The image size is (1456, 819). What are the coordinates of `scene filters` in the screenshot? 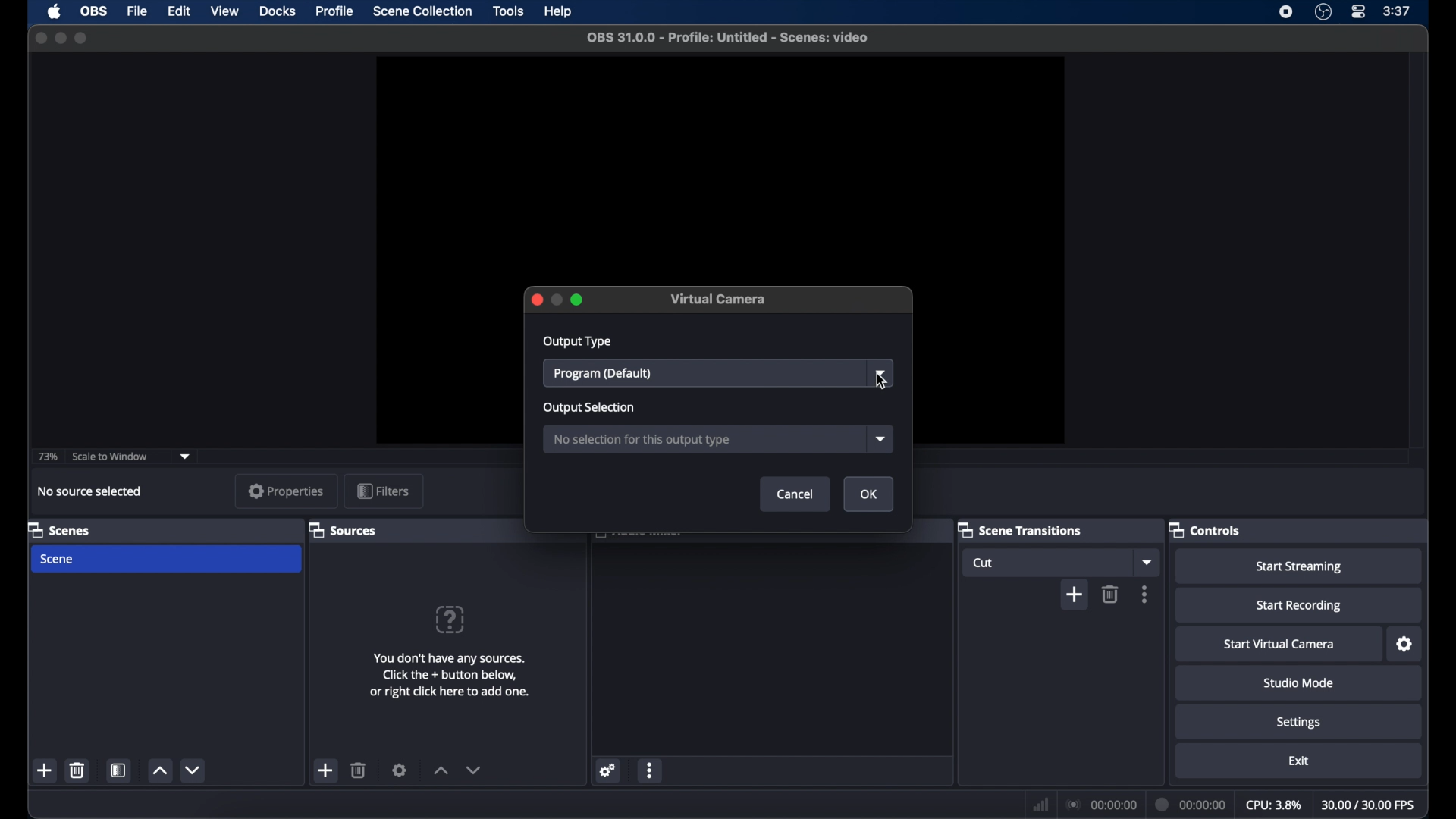 It's located at (119, 771).